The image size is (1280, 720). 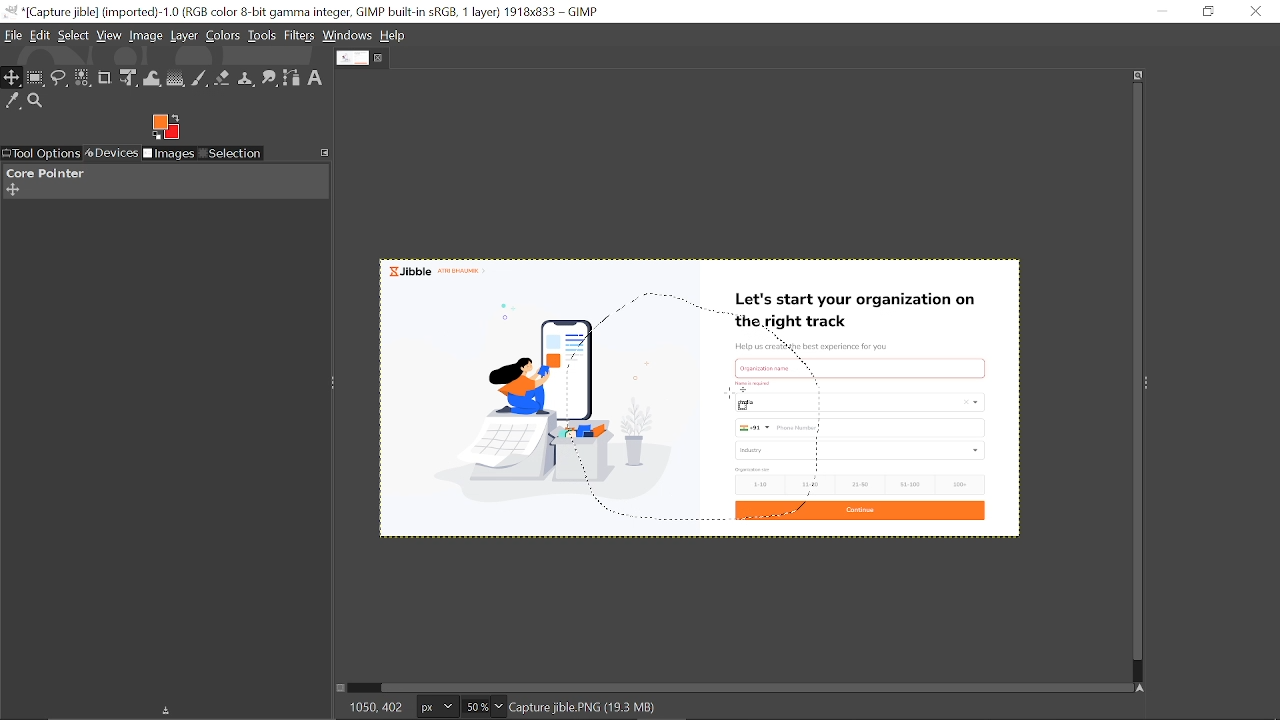 I want to click on Zoom options, so click(x=497, y=707).